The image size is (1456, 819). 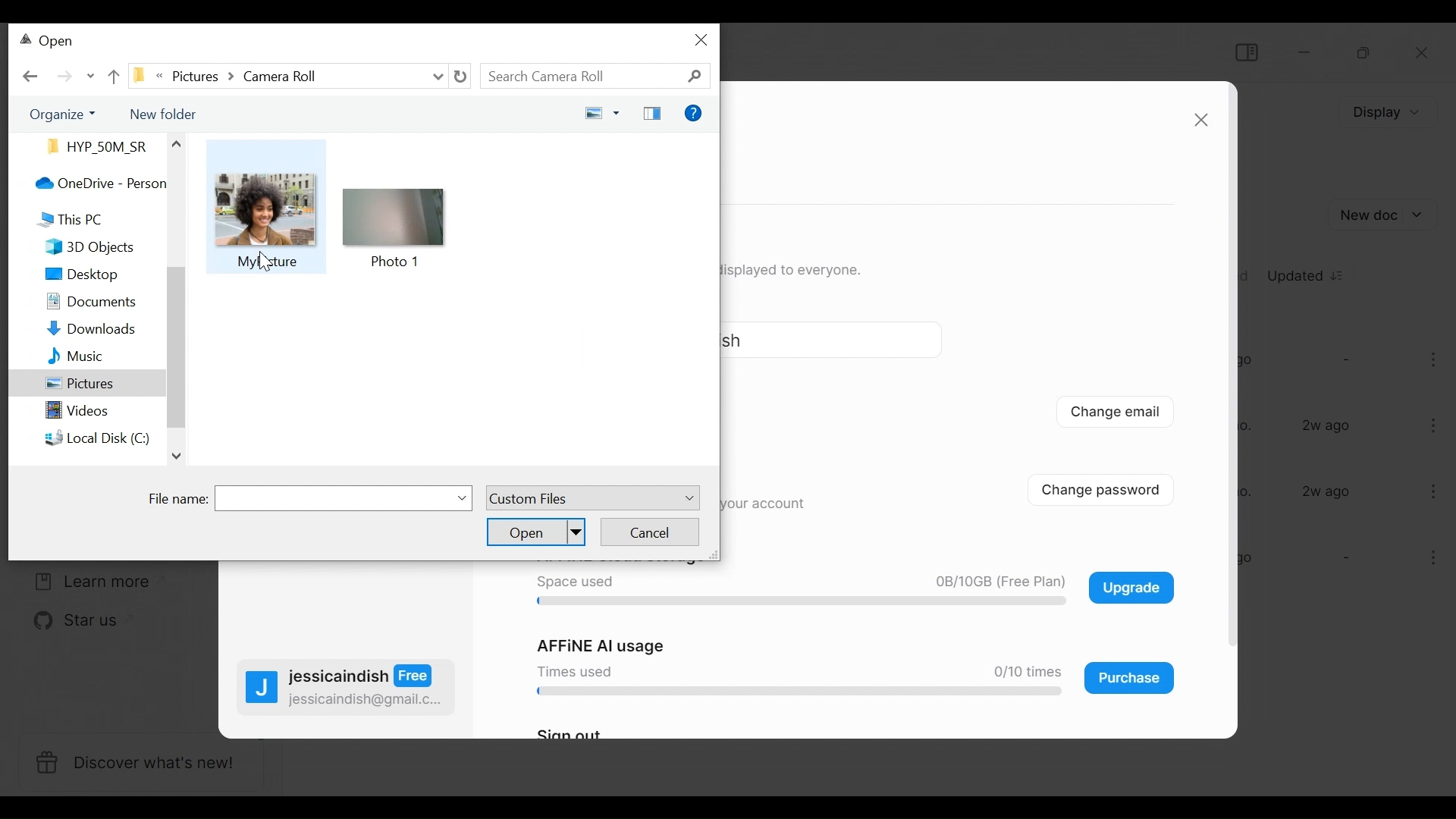 What do you see at coordinates (66, 414) in the screenshot?
I see `Videos` at bounding box center [66, 414].